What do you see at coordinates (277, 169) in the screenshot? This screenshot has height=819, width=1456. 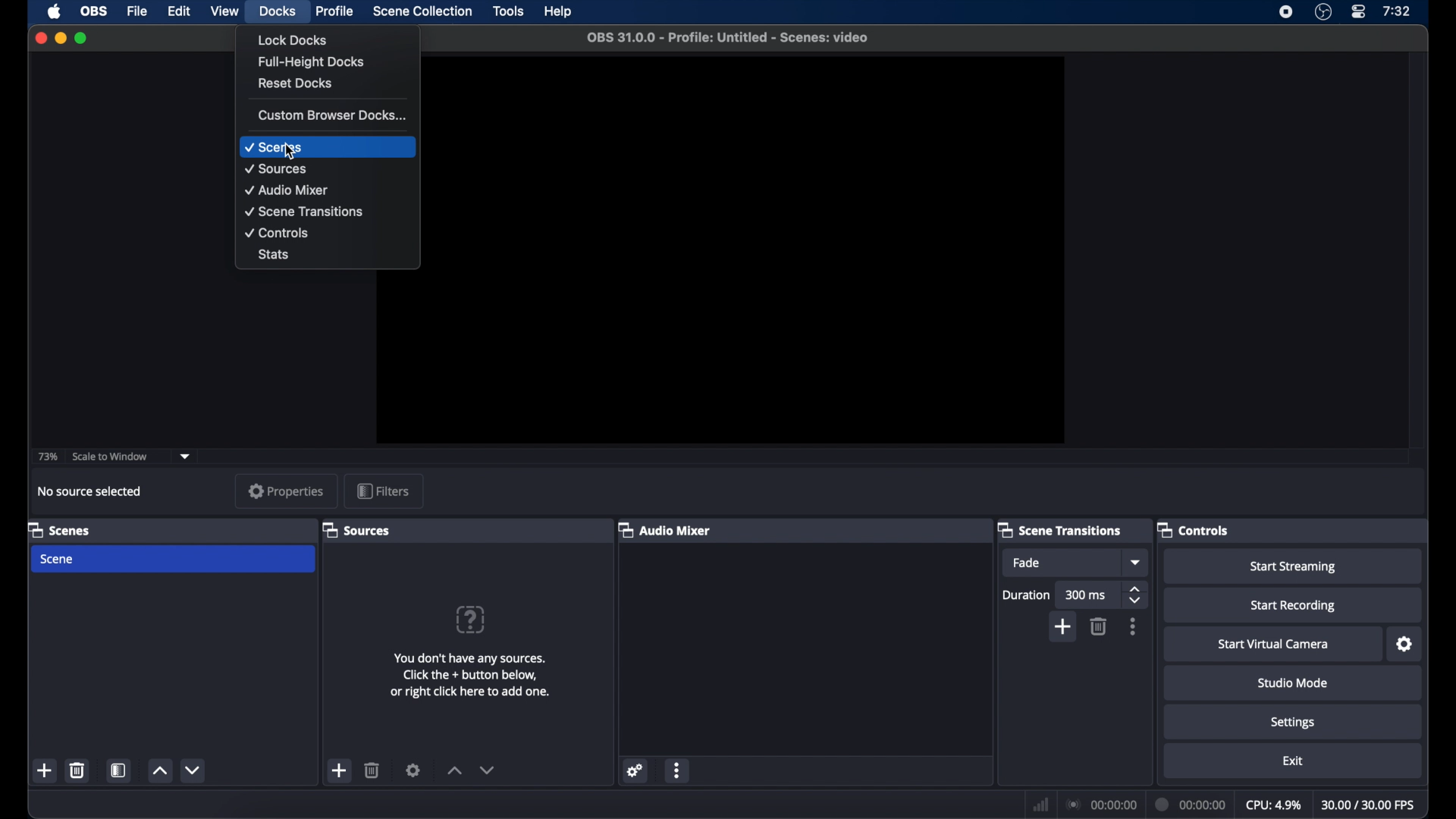 I see `sources` at bounding box center [277, 169].